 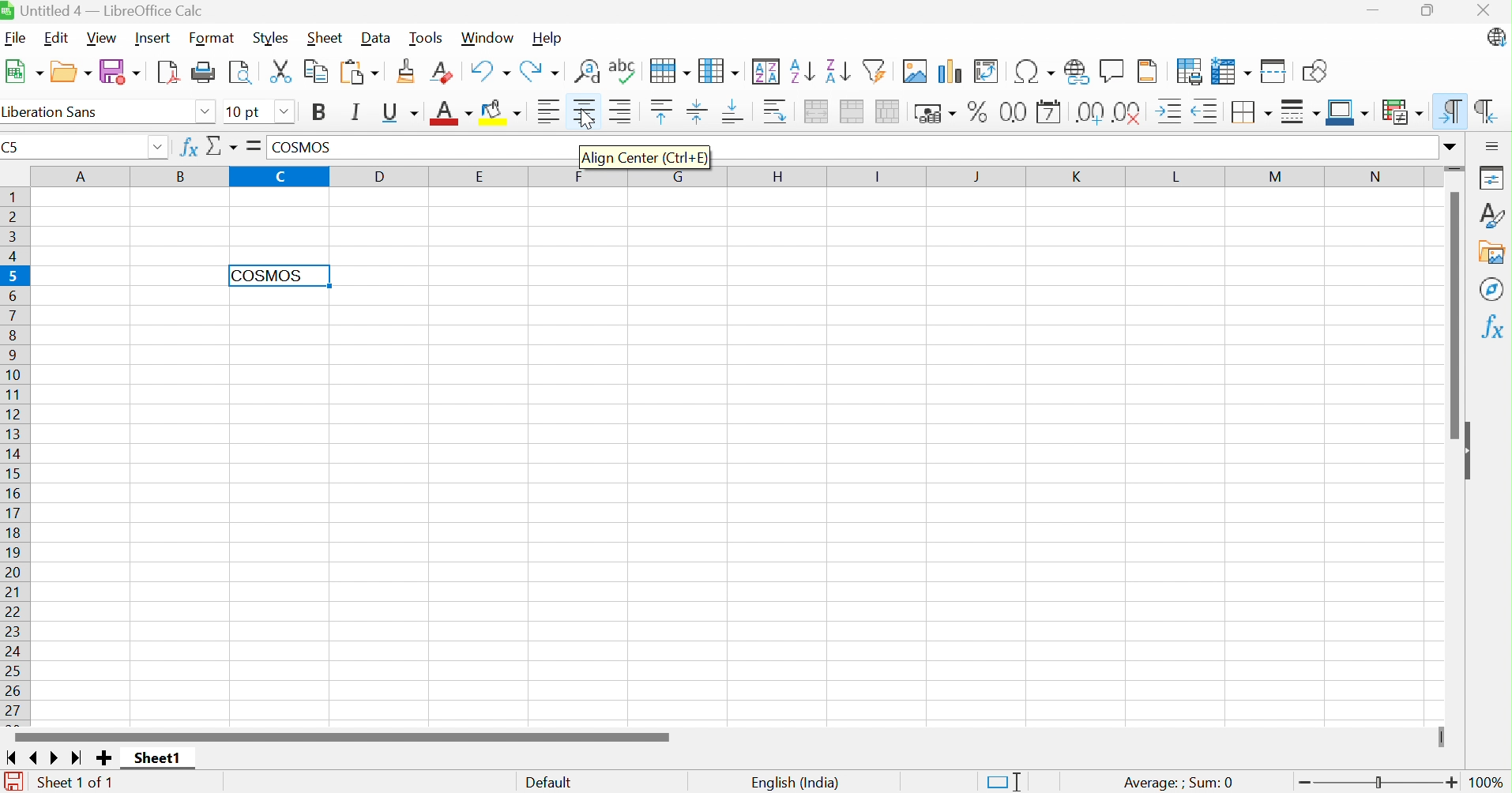 What do you see at coordinates (548, 780) in the screenshot?
I see `Default` at bounding box center [548, 780].